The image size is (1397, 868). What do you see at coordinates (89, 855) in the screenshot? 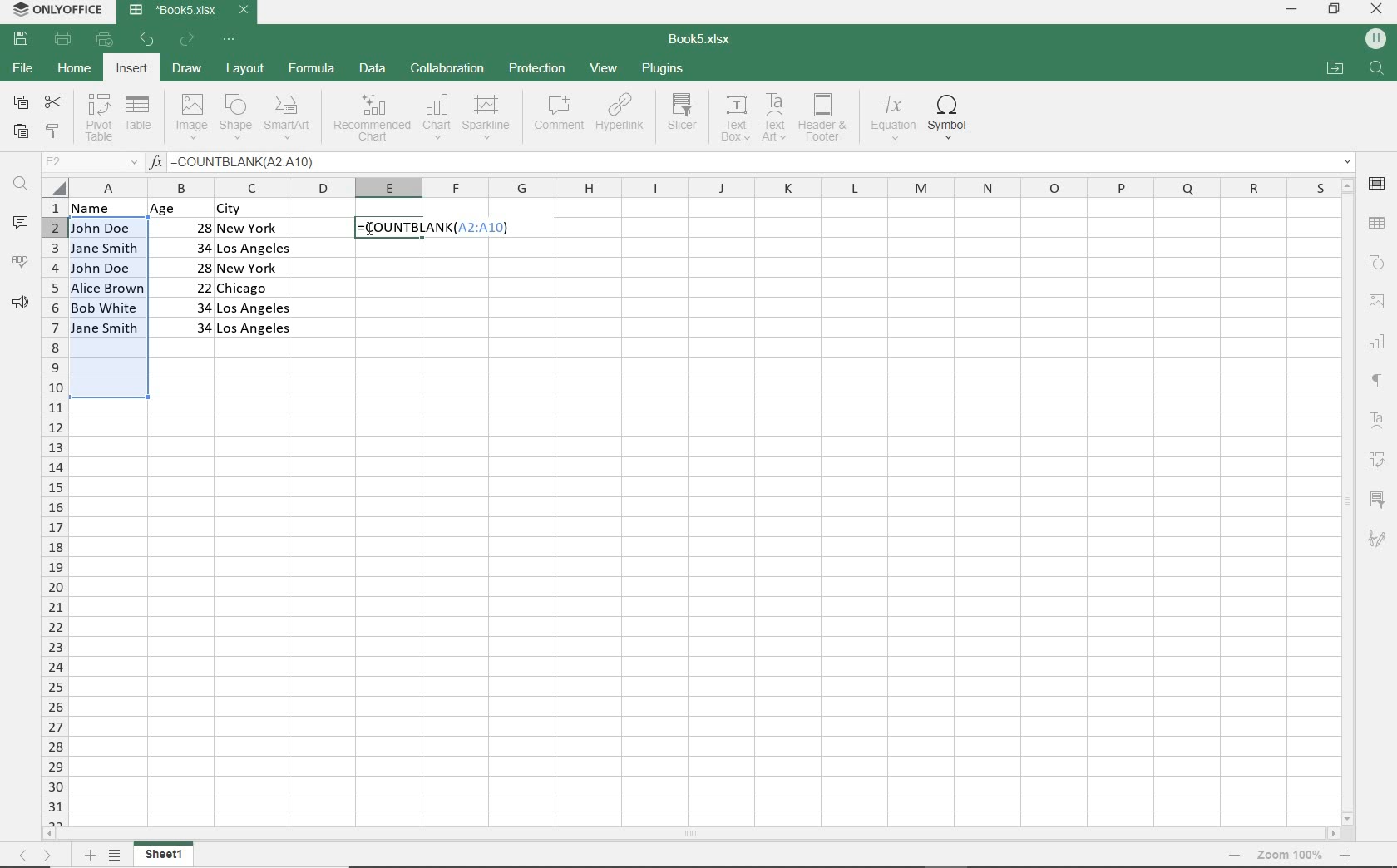
I see `ADD SHEETS` at bounding box center [89, 855].